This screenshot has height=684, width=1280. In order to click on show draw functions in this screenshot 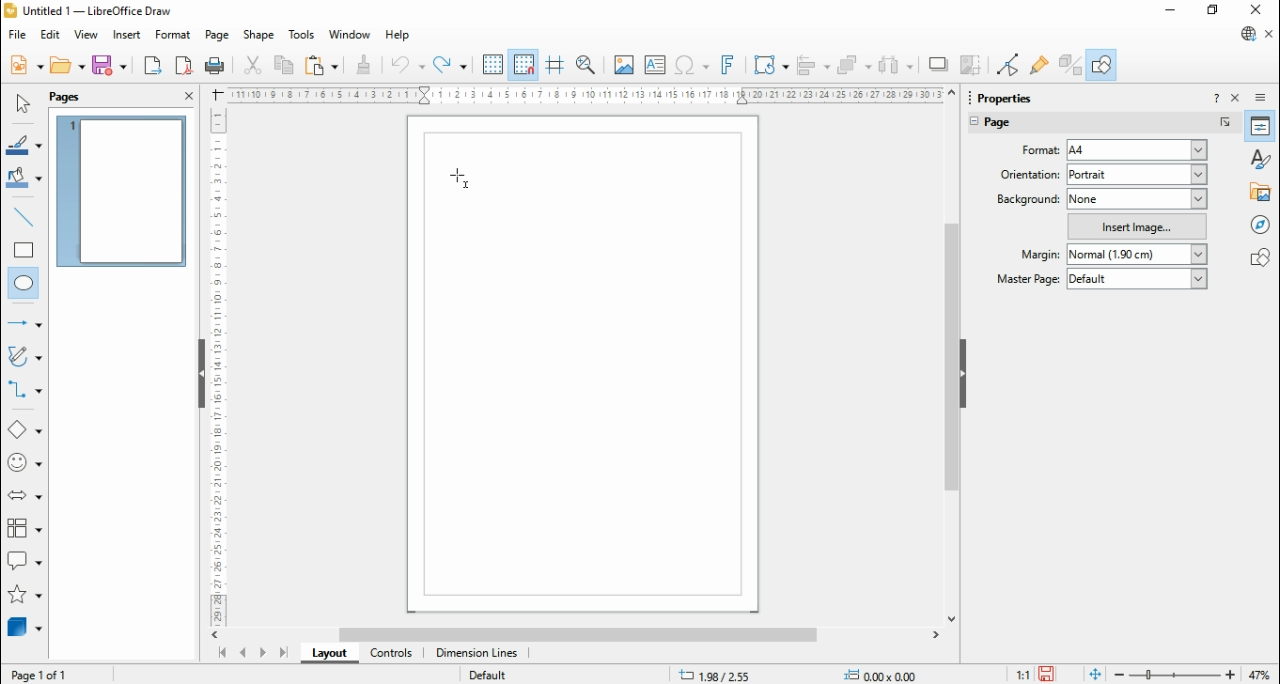, I will do `click(1101, 64)`.